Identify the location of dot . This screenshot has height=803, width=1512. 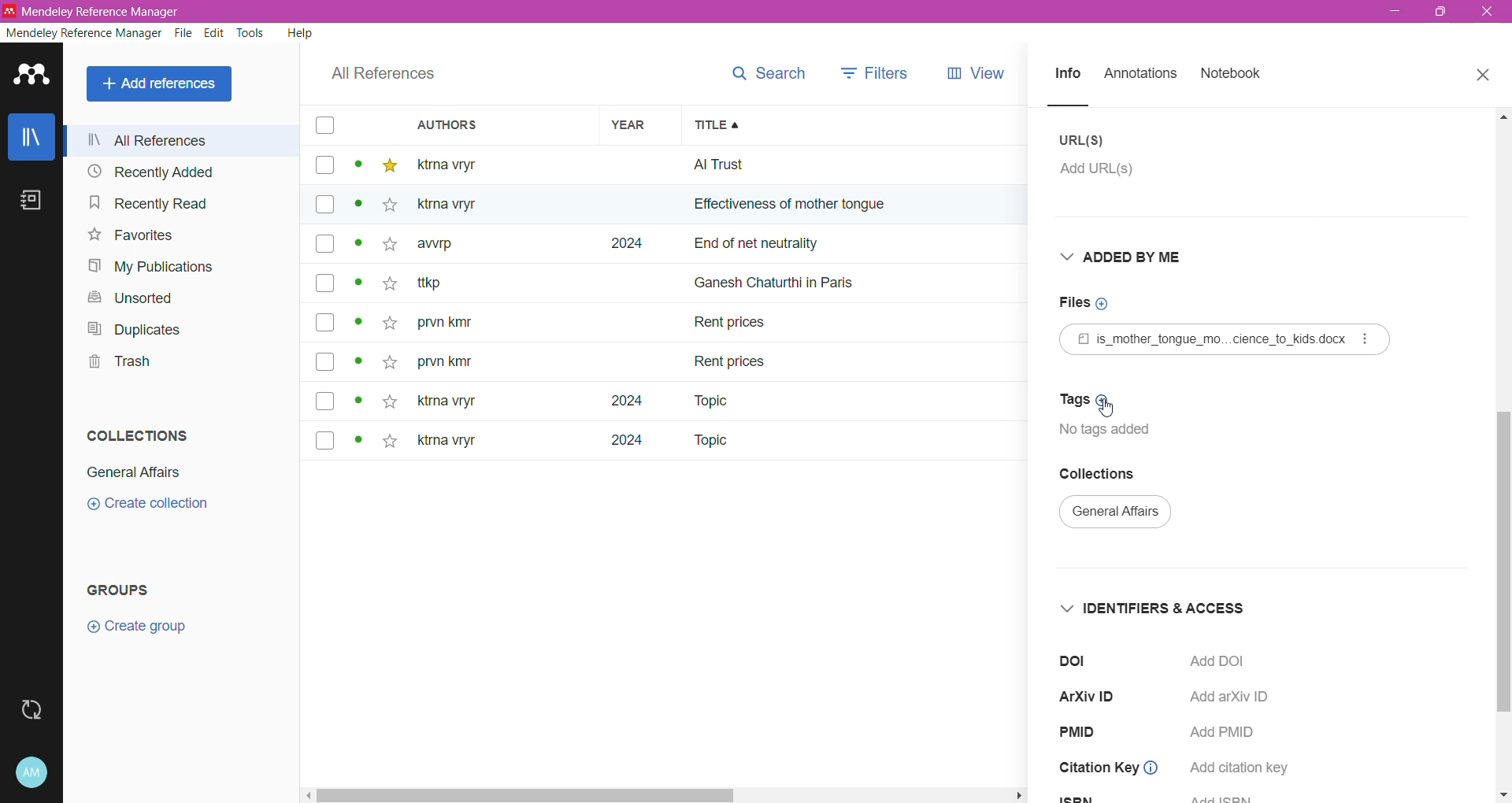
(354, 209).